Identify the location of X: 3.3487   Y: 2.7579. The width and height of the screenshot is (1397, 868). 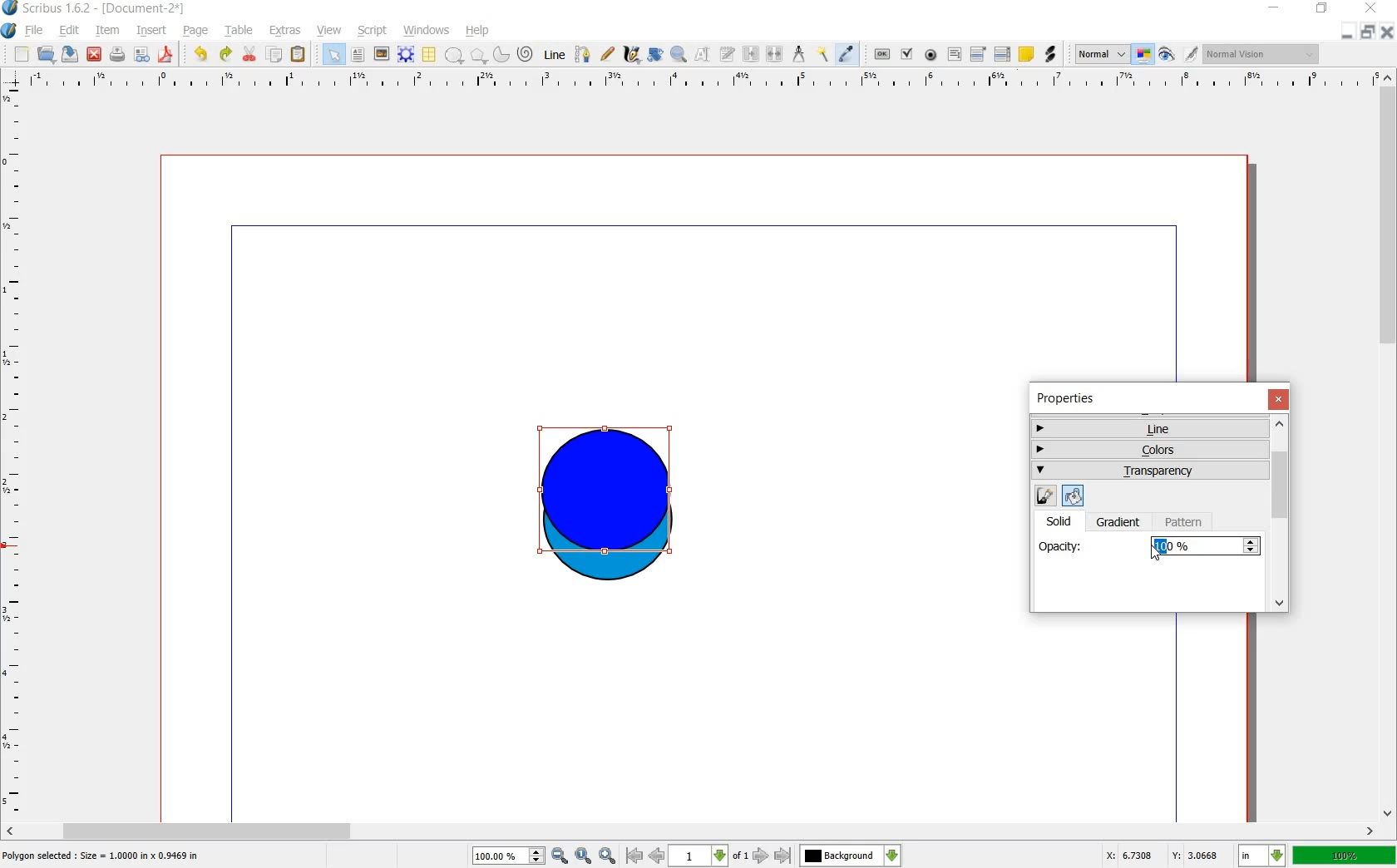
(1163, 855).